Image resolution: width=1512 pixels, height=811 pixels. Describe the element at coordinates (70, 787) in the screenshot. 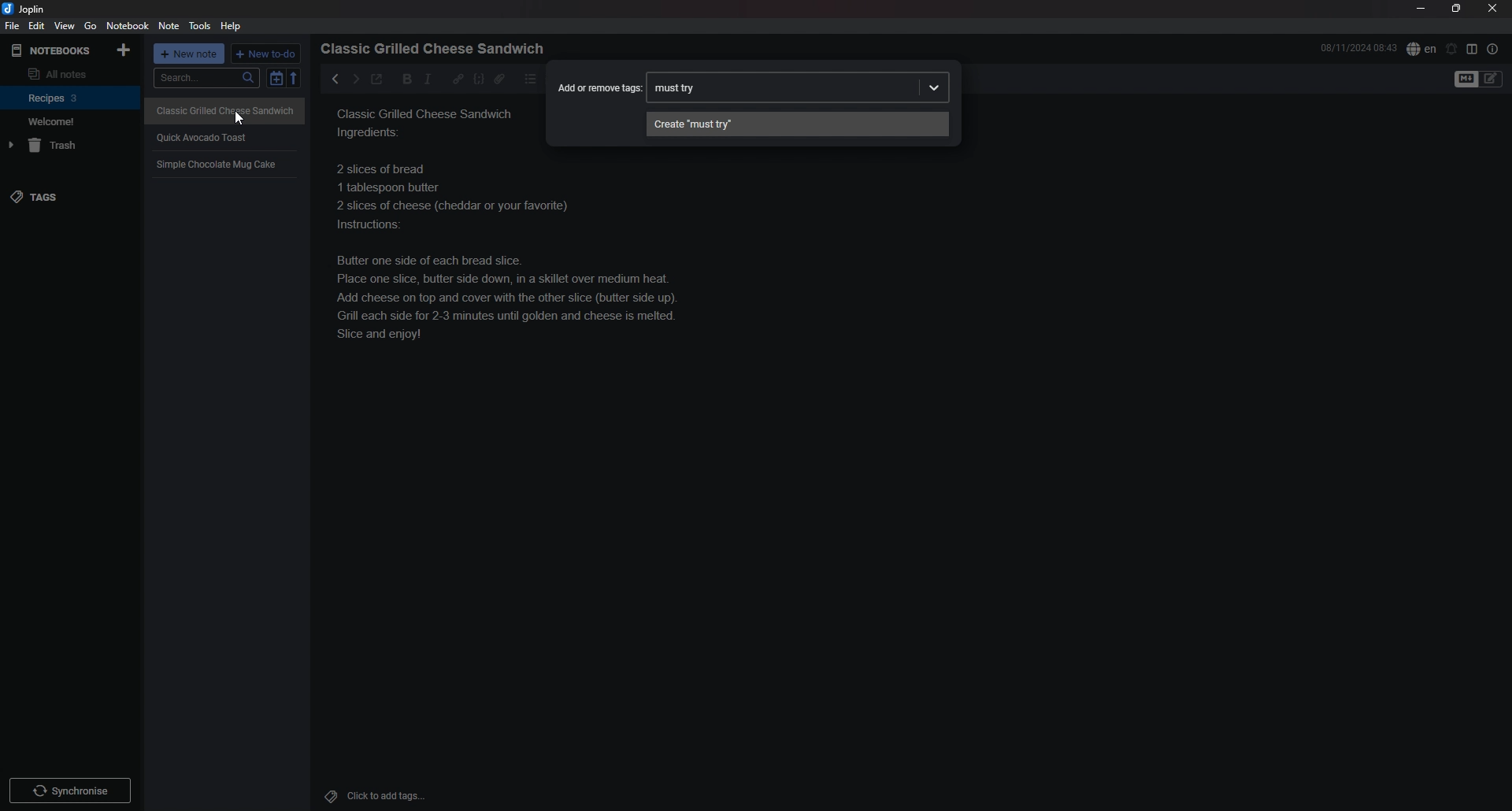

I see `` at that location.